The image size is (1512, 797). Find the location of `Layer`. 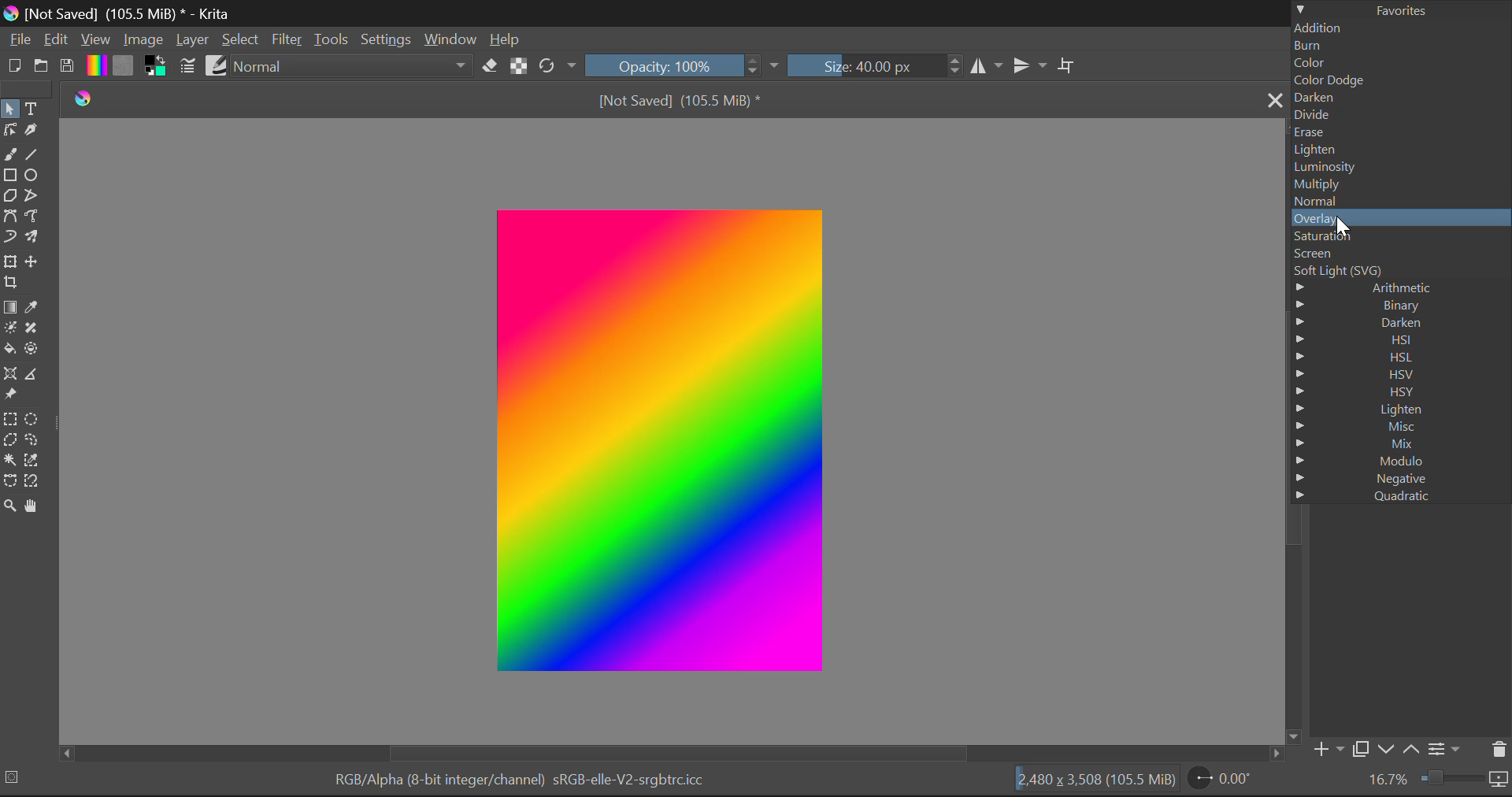

Layer is located at coordinates (192, 43).